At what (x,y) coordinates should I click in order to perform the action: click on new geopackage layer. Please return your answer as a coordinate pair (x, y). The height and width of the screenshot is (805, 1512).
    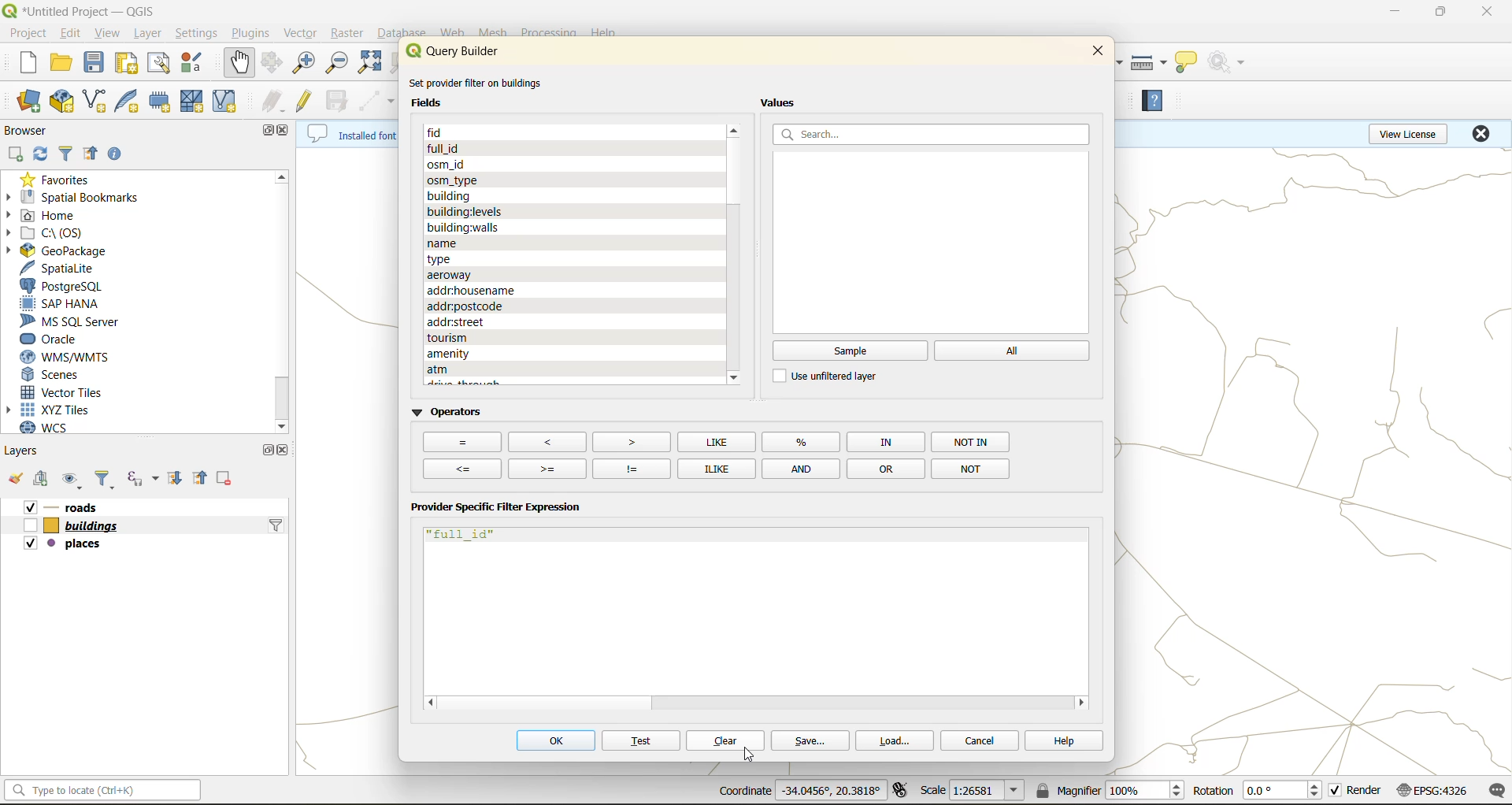
    Looking at the image, I should click on (64, 102).